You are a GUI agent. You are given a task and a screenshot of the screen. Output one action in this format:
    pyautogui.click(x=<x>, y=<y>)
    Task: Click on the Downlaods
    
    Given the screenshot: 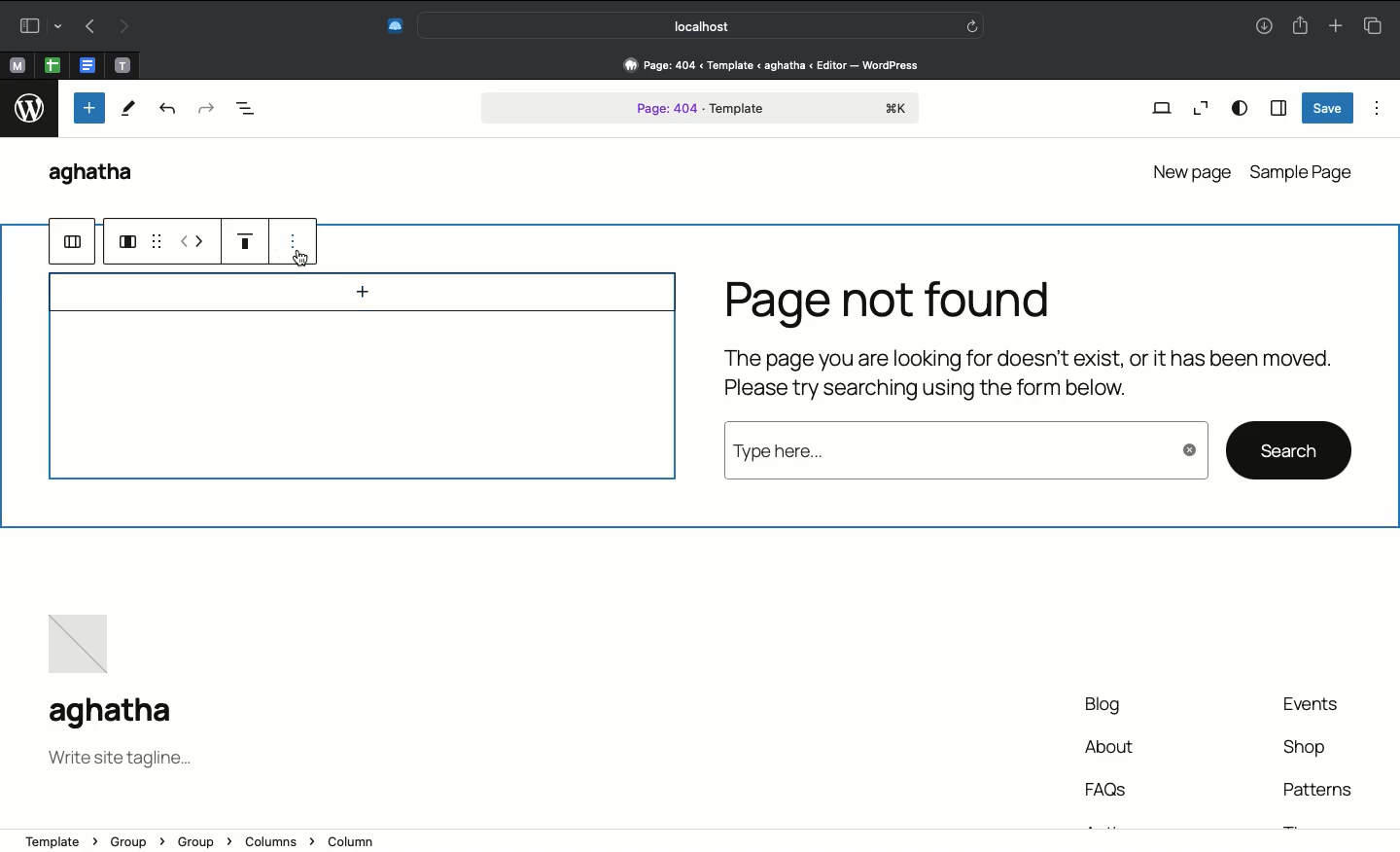 What is the action you would take?
    pyautogui.click(x=1264, y=28)
    